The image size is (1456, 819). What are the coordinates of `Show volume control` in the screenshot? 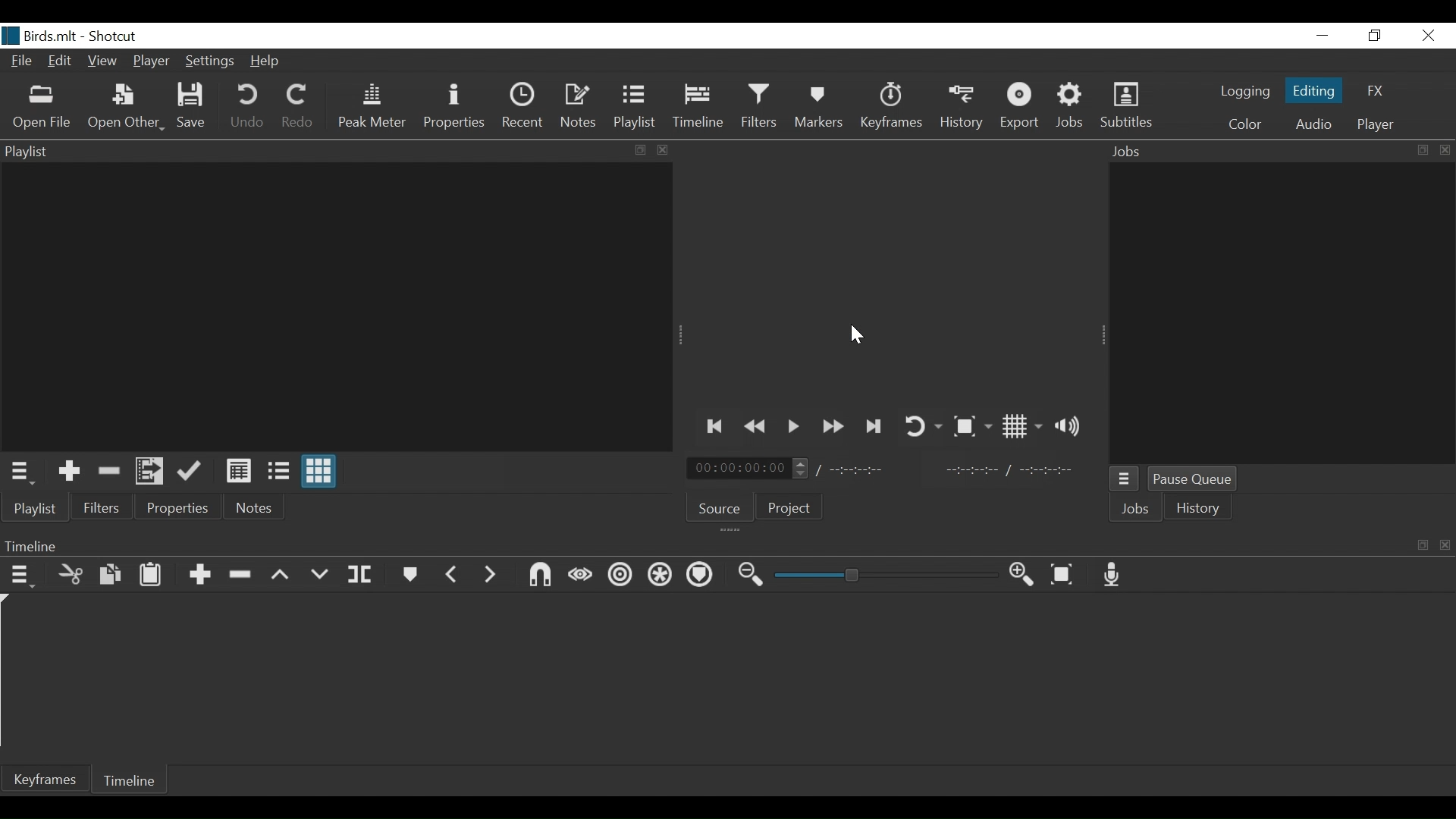 It's located at (1072, 425).